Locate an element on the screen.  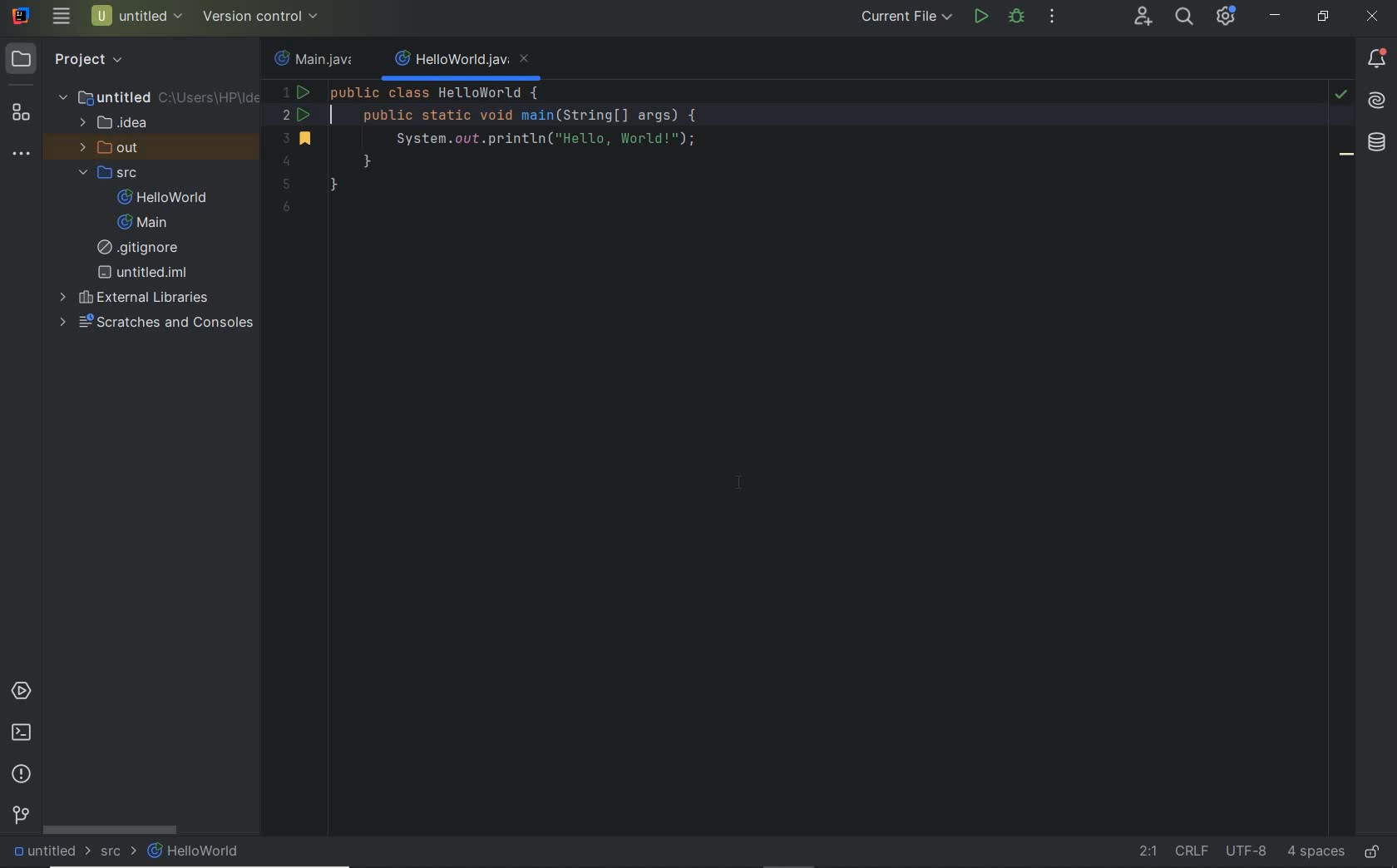
more actions is located at coordinates (1054, 17).